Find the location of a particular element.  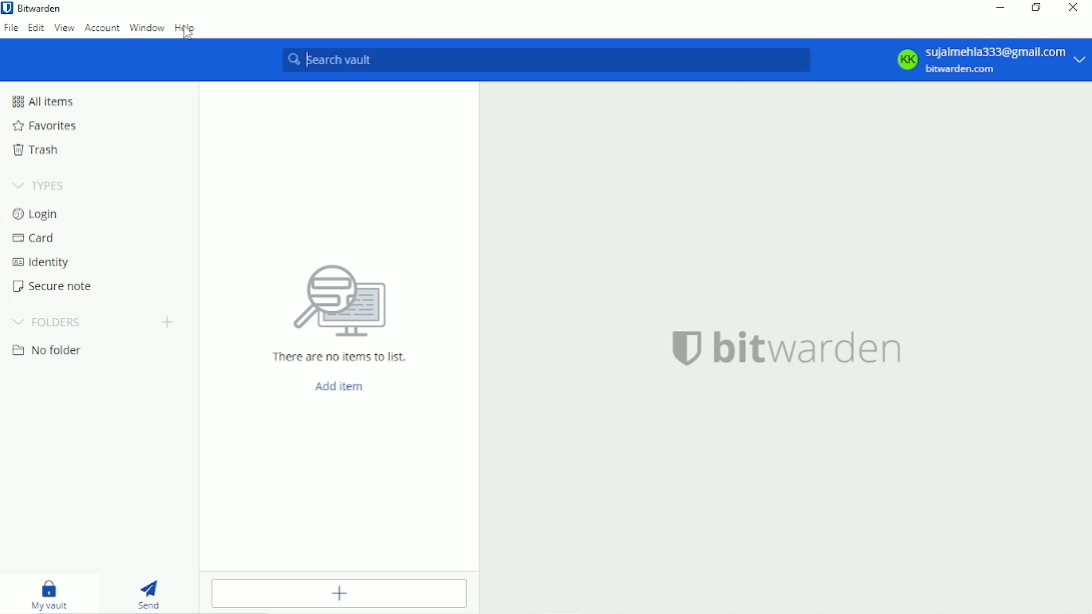

logo is located at coordinates (346, 303).